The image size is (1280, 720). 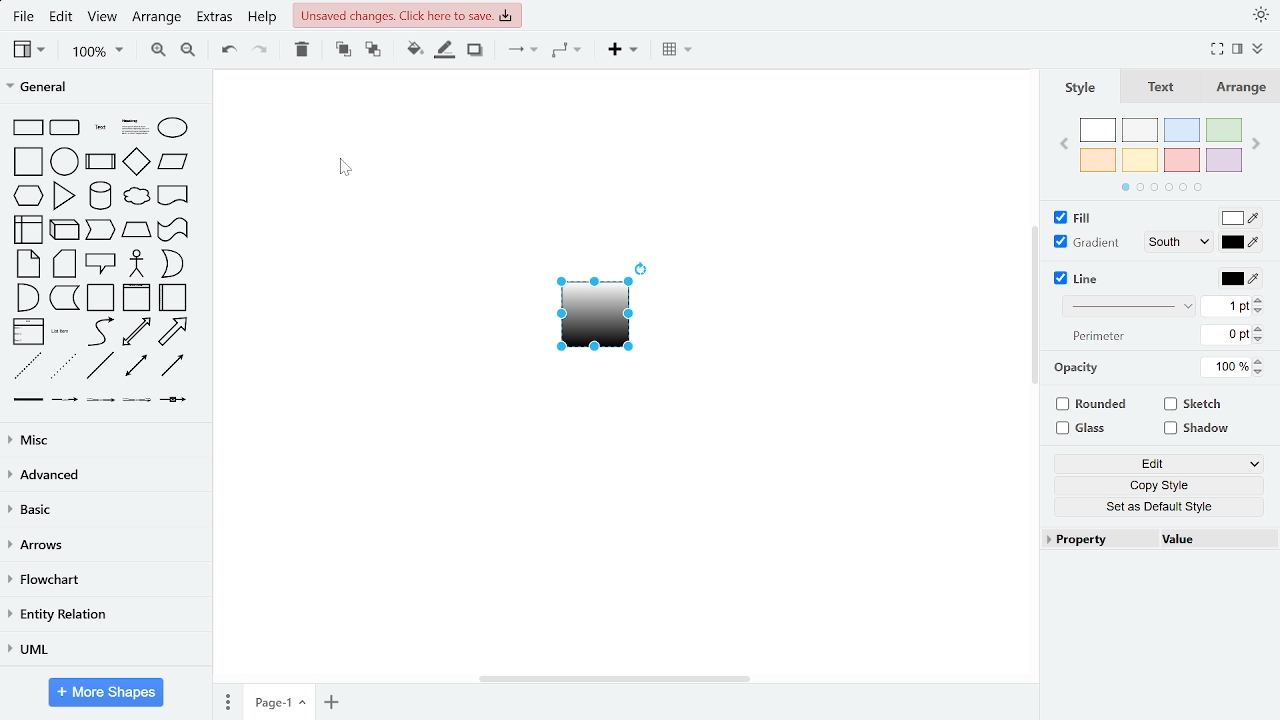 I want to click on current line width, so click(x=1227, y=307).